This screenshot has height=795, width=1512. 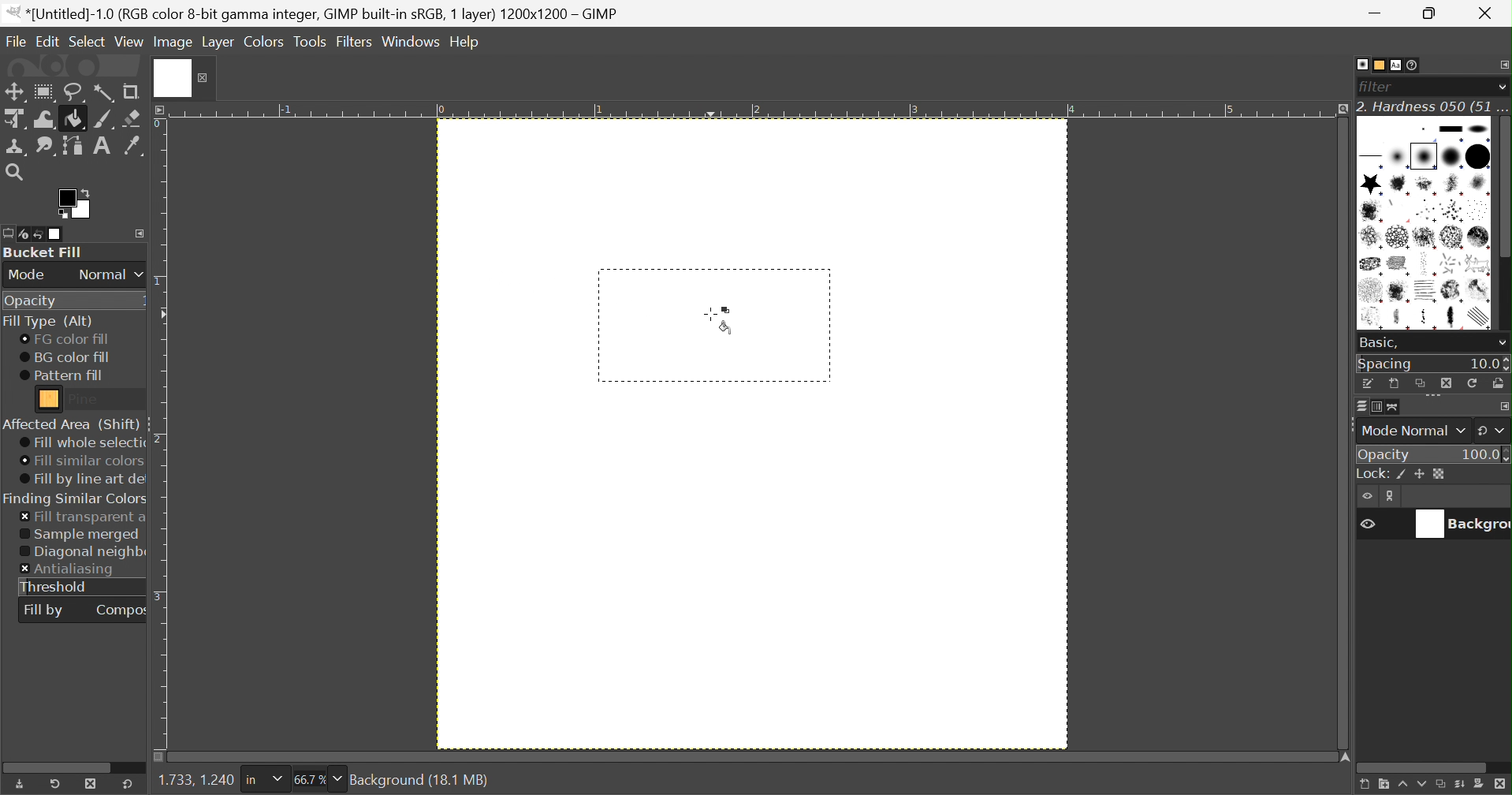 I want to click on Colors, so click(x=263, y=41).